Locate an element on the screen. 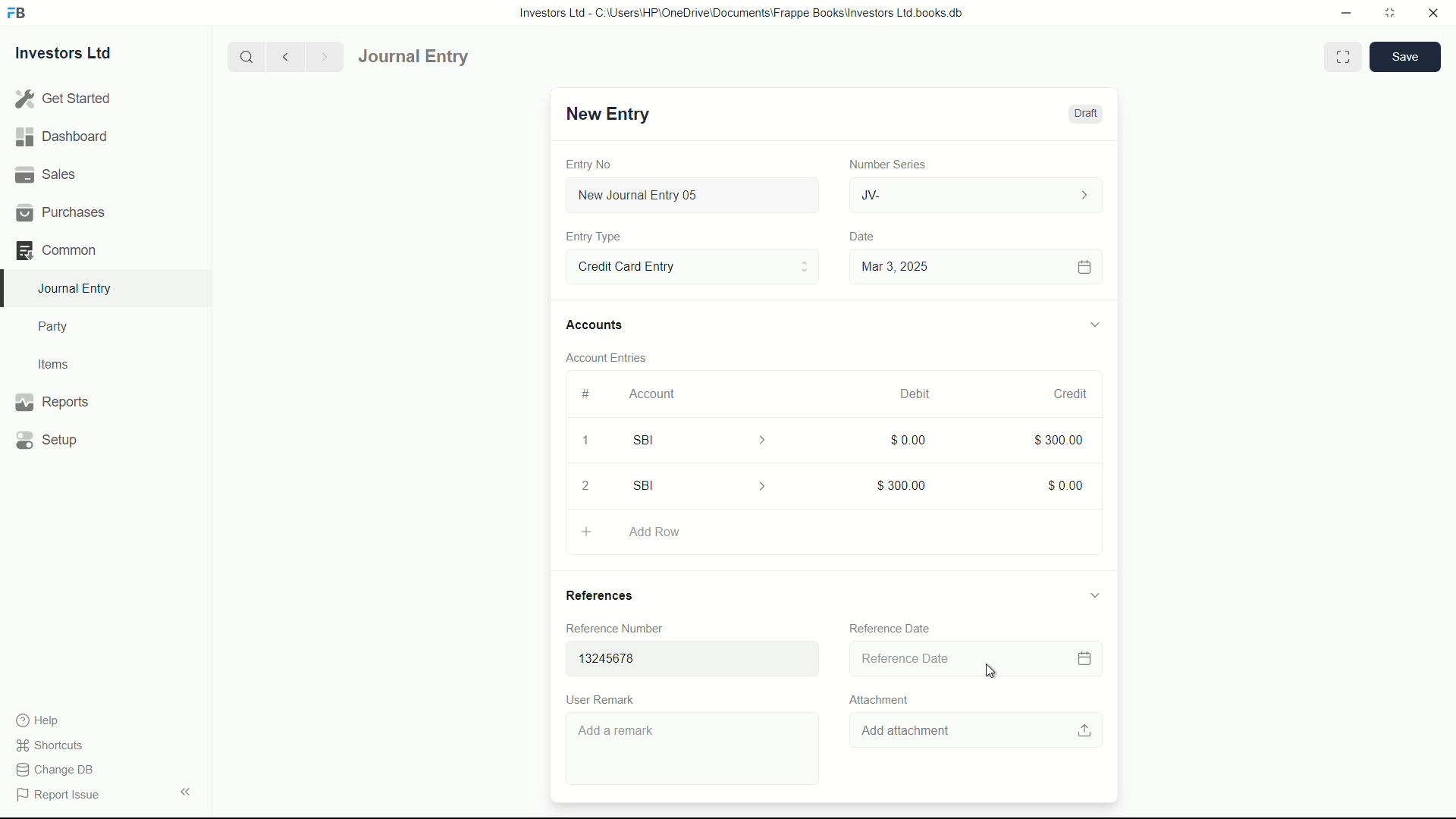 Image resolution: width=1456 pixels, height=819 pixels. $0.00 is located at coordinates (901, 439).